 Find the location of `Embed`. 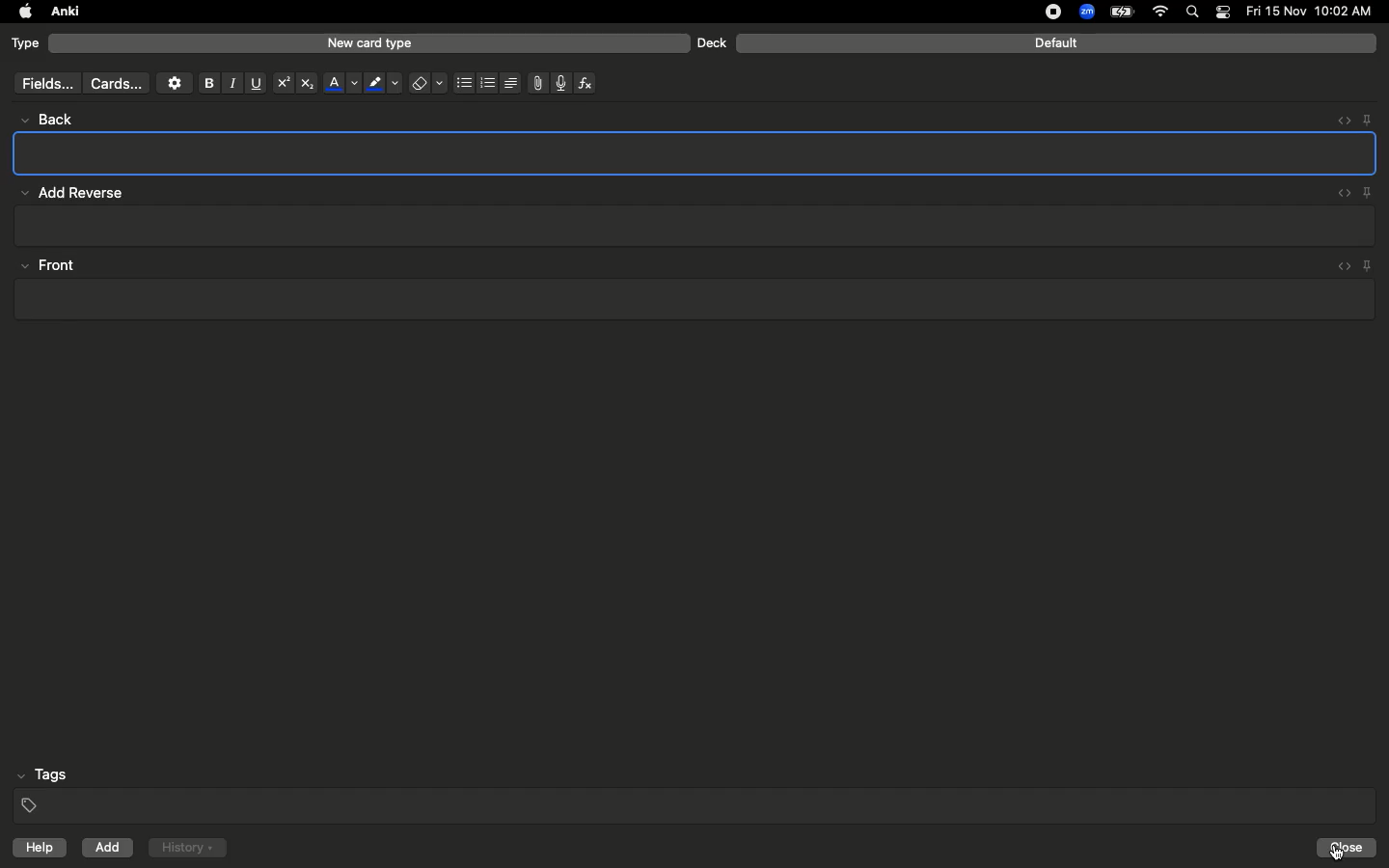

Embed is located at coordinates (1338, 121).